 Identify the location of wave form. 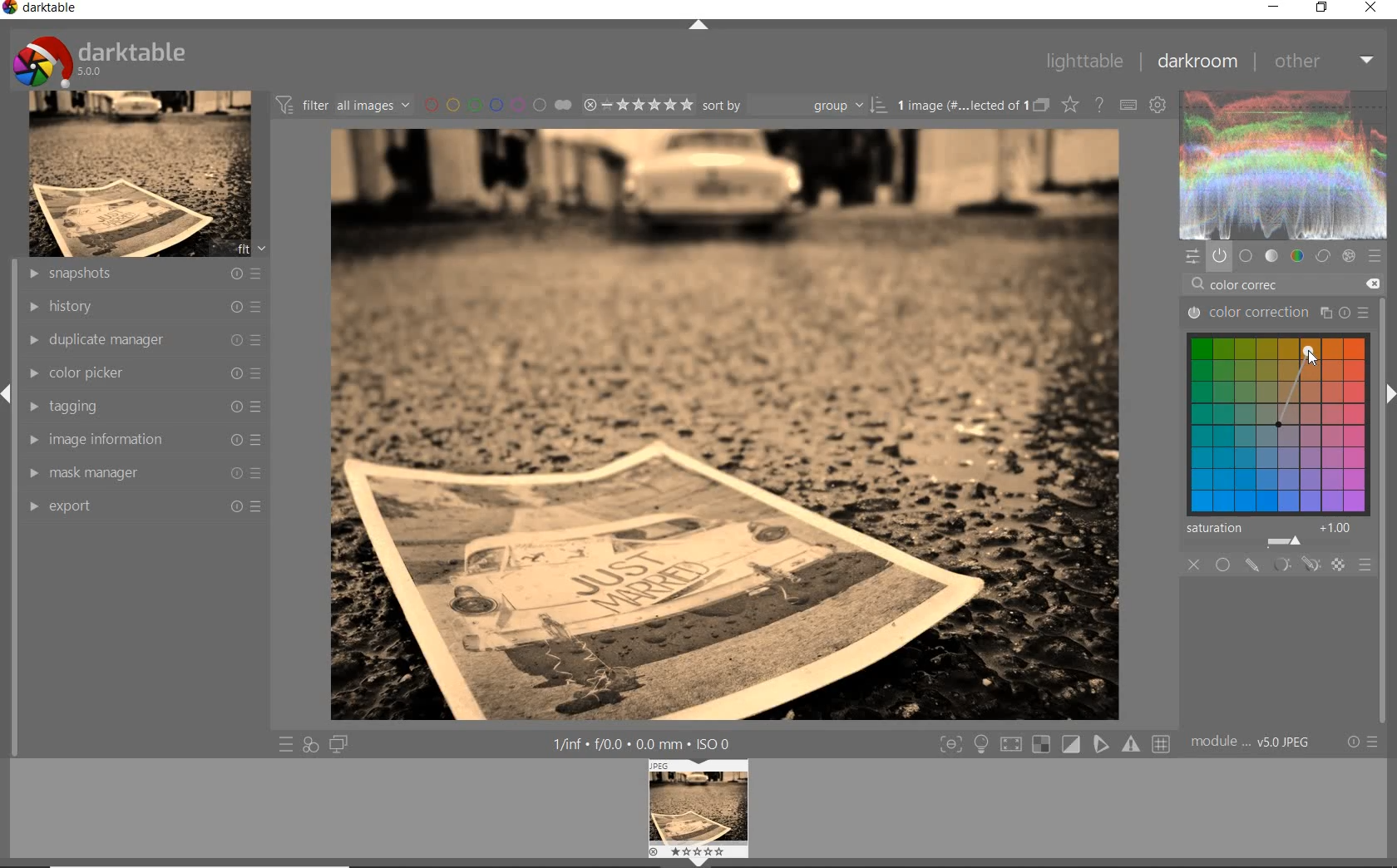
(1284, 167).